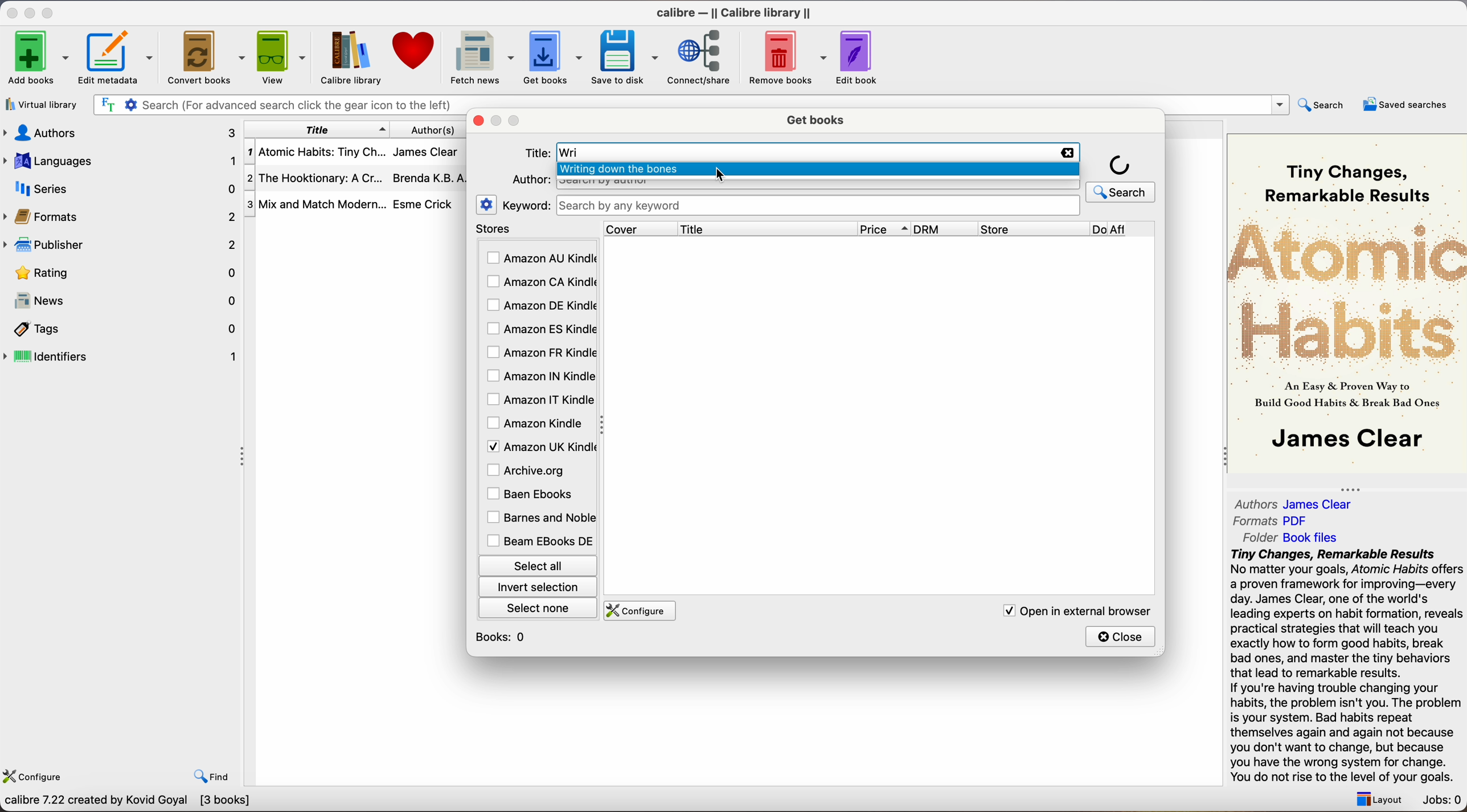 Image resolution: width=1467 pixels, height=812 pixels. Describe the element at coordinates (884, 229) in the screenshot. I see `price` at that location.